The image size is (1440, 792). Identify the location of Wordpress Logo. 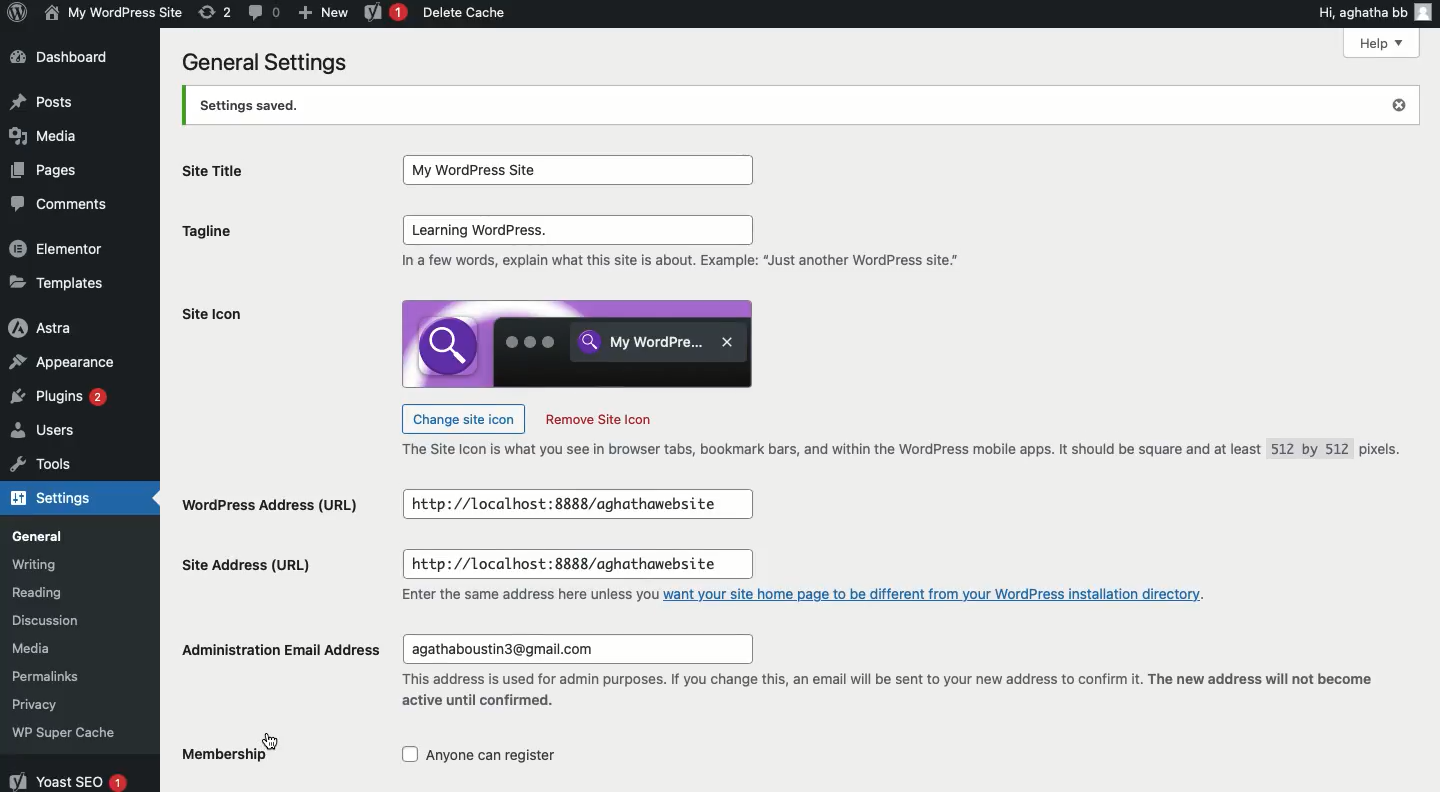
(15, 14).